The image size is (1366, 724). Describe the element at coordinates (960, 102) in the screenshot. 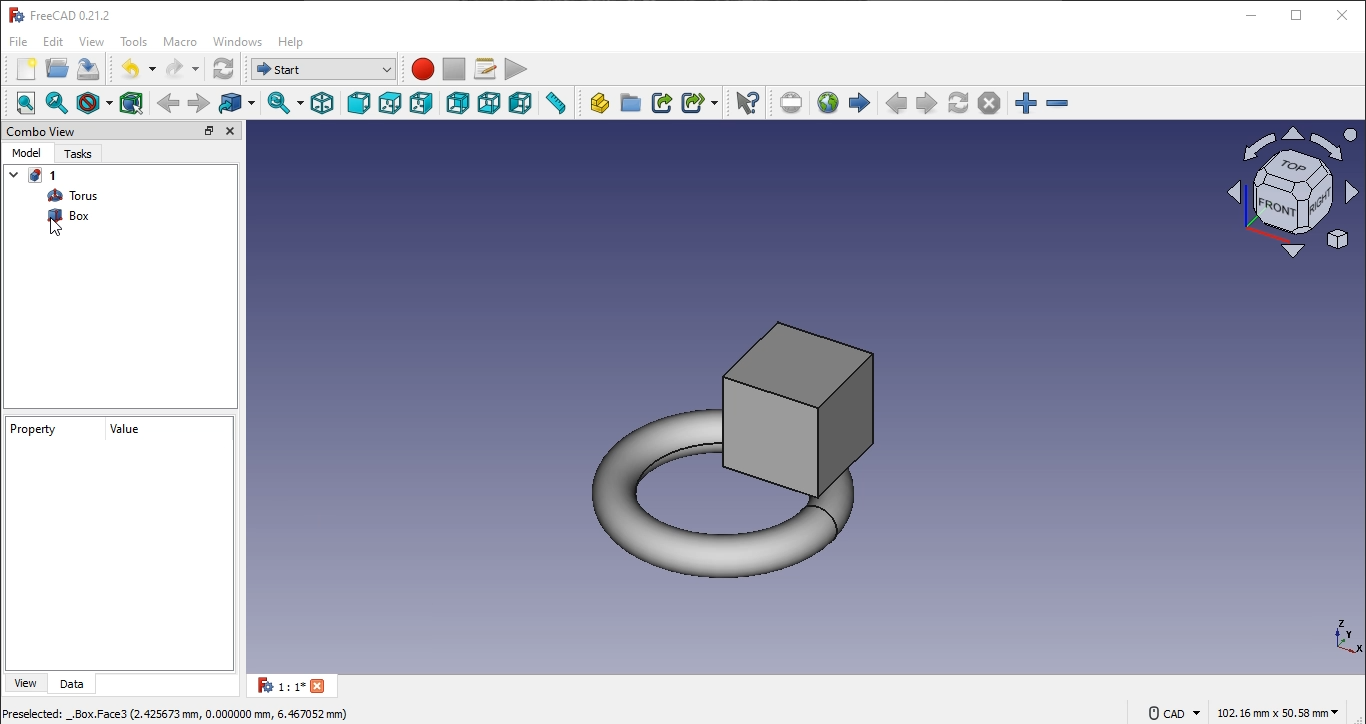

I see `refresh` at that location.